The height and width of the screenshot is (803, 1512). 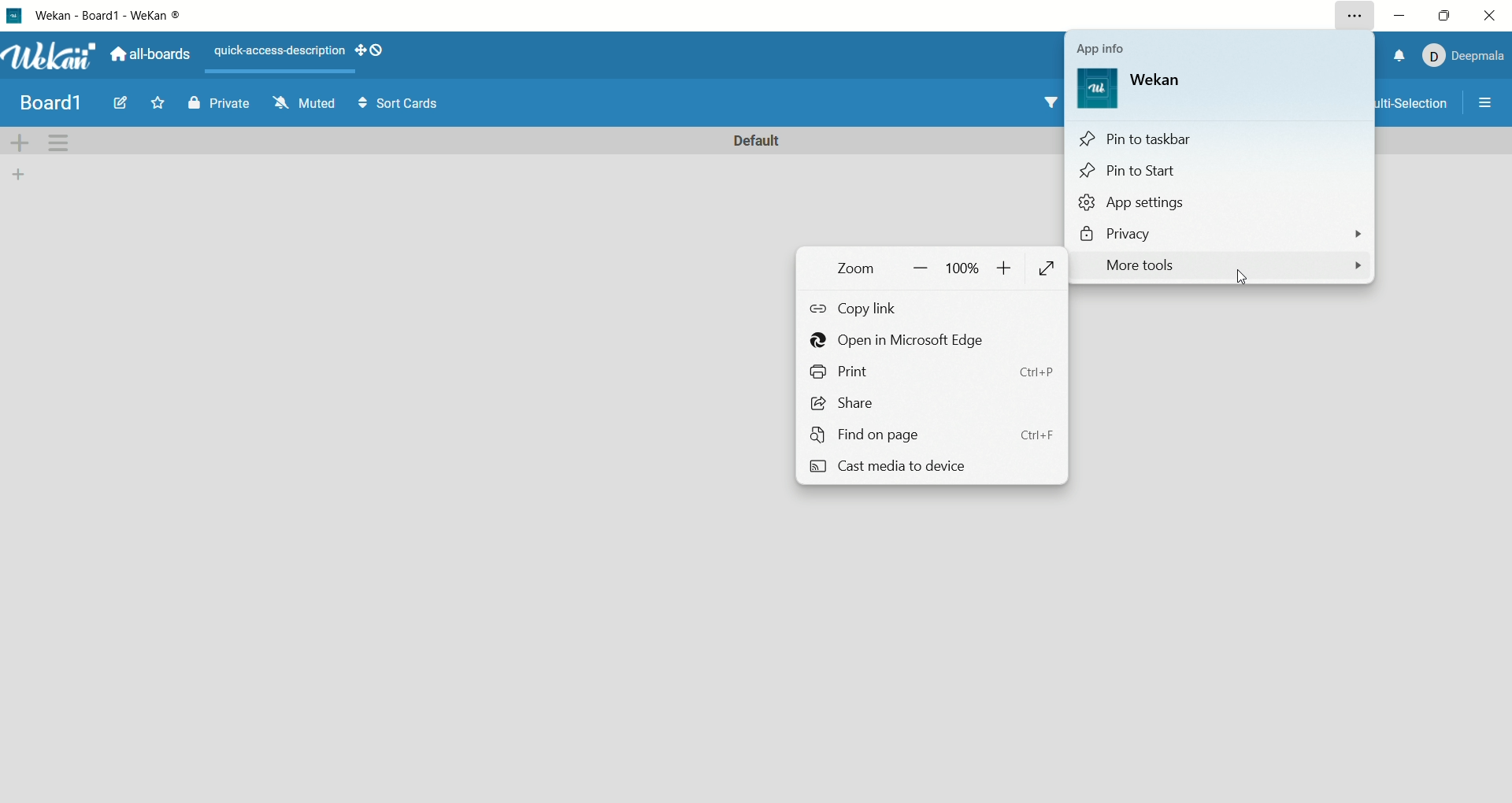 I want to click on app settings, so click(x=1220, y=202).